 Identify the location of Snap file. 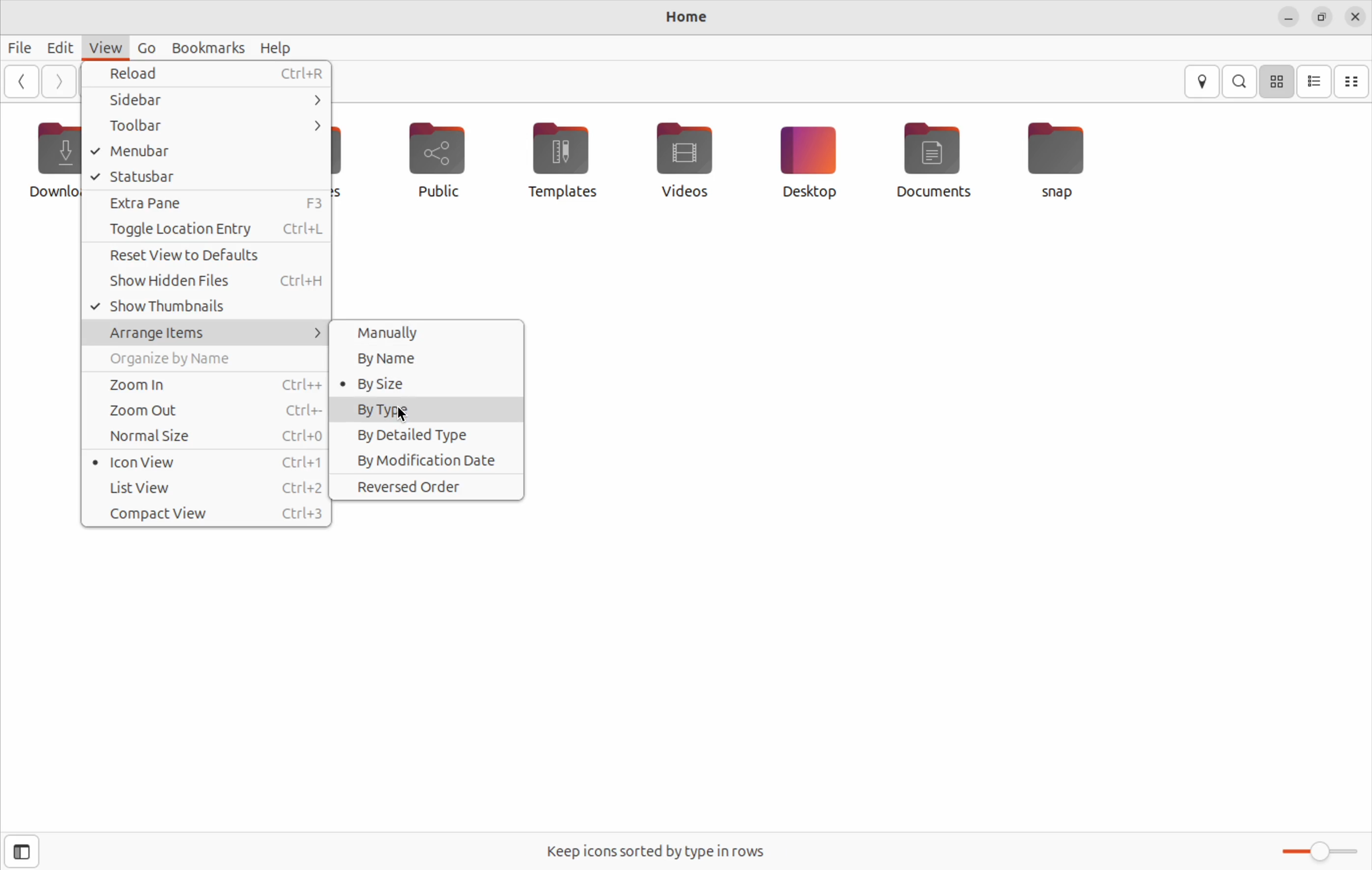
(1057, 157).